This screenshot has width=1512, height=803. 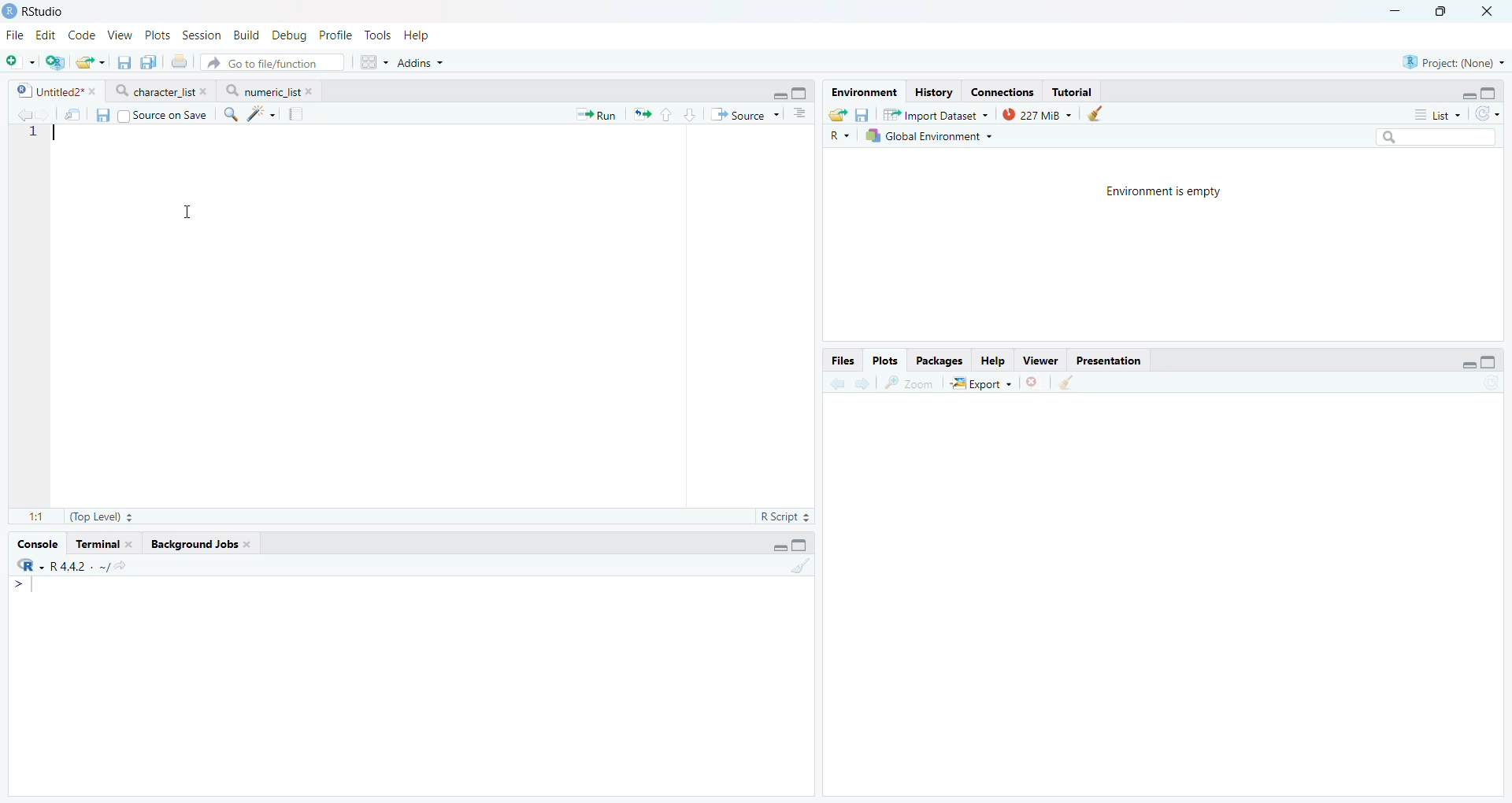 What do you see at coordinates (35, 543) in the screenshot?
I see `Console` at bounding box center [35, 543].